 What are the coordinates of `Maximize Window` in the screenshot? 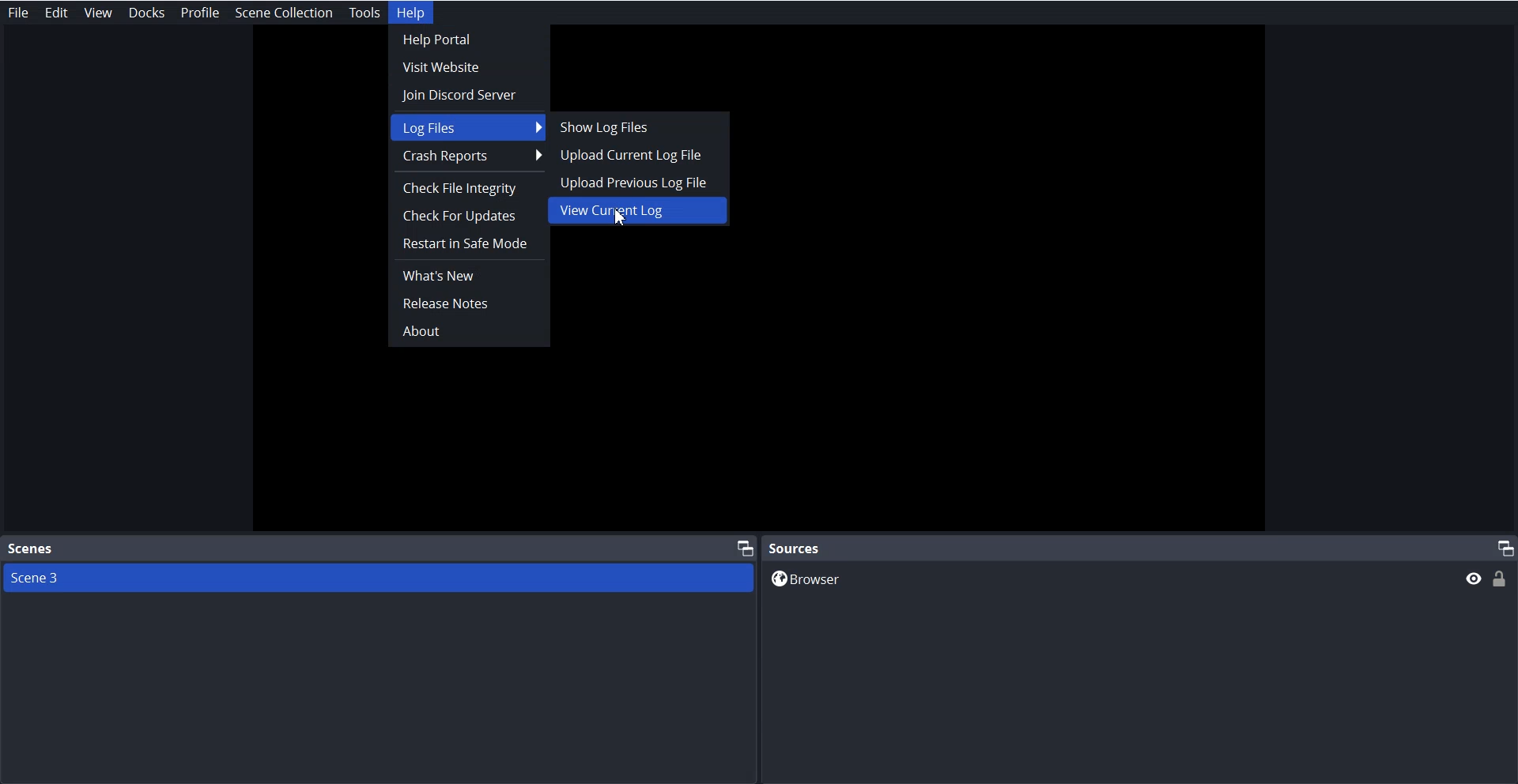 It's located at (737, 548).